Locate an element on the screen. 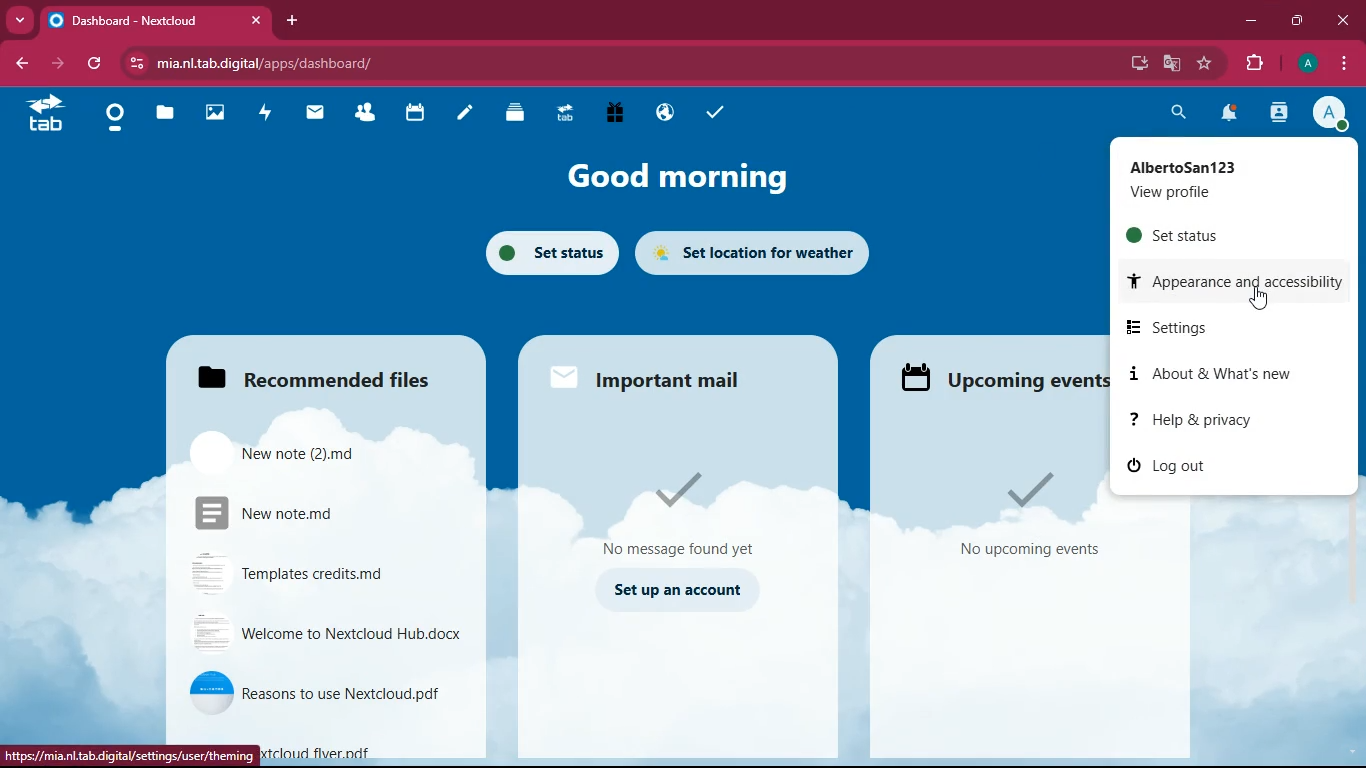  extension is located at coordinates (1257, 64).